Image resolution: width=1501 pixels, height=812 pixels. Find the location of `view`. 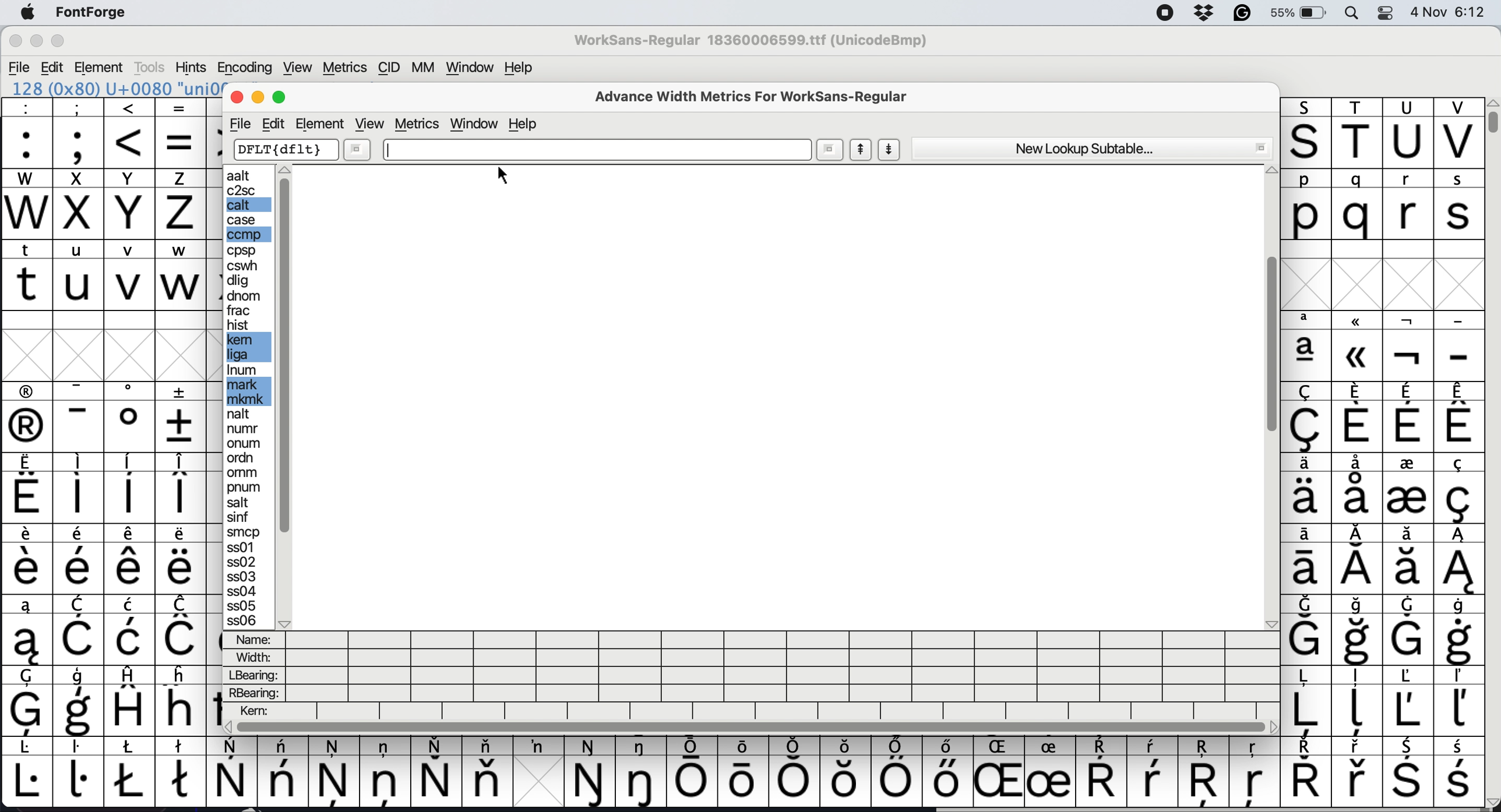

view is located at coordinates (369, 124).